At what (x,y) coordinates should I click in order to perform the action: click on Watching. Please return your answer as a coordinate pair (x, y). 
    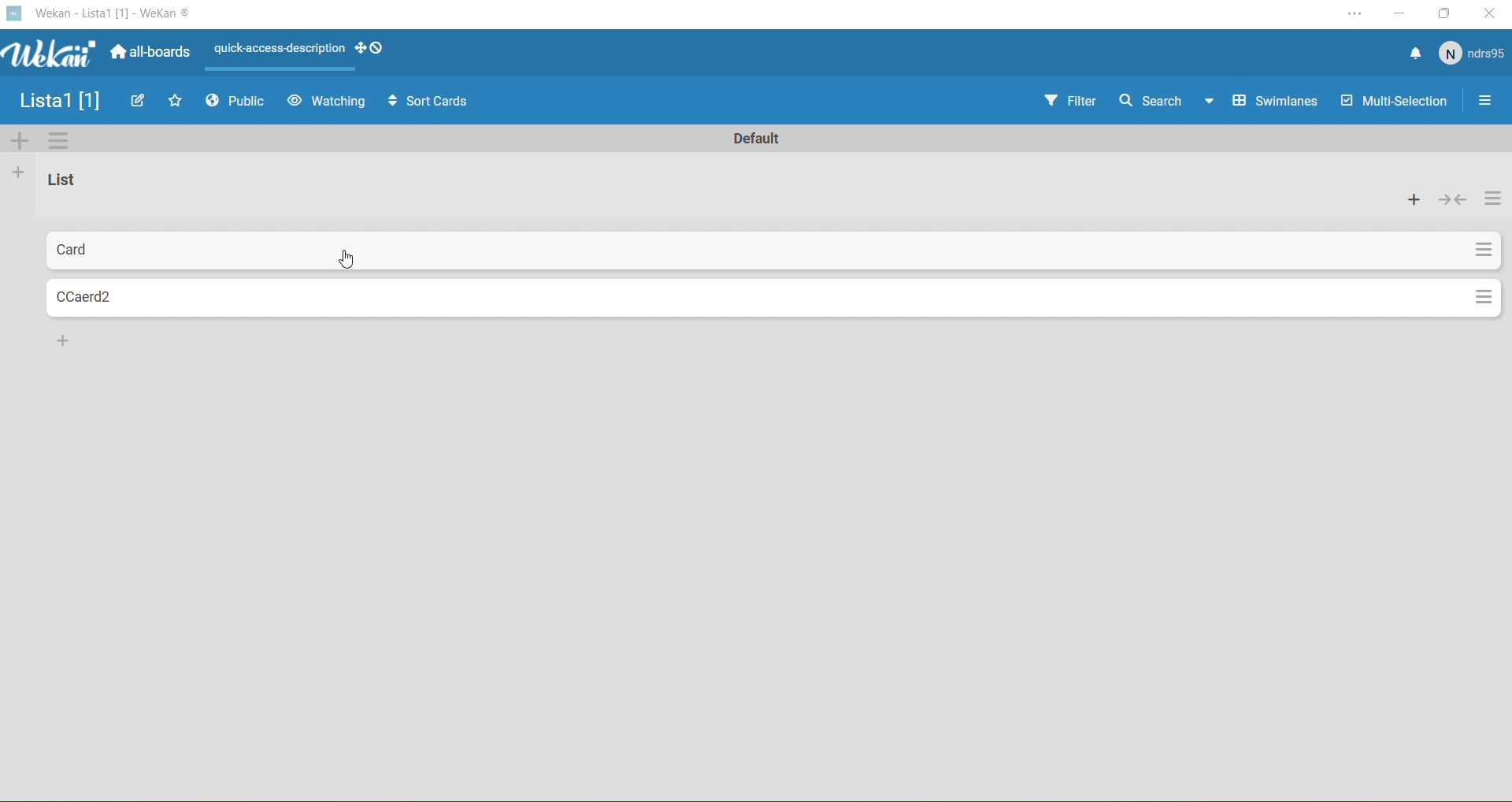
    Looking at the image, I should click on (326, 102).